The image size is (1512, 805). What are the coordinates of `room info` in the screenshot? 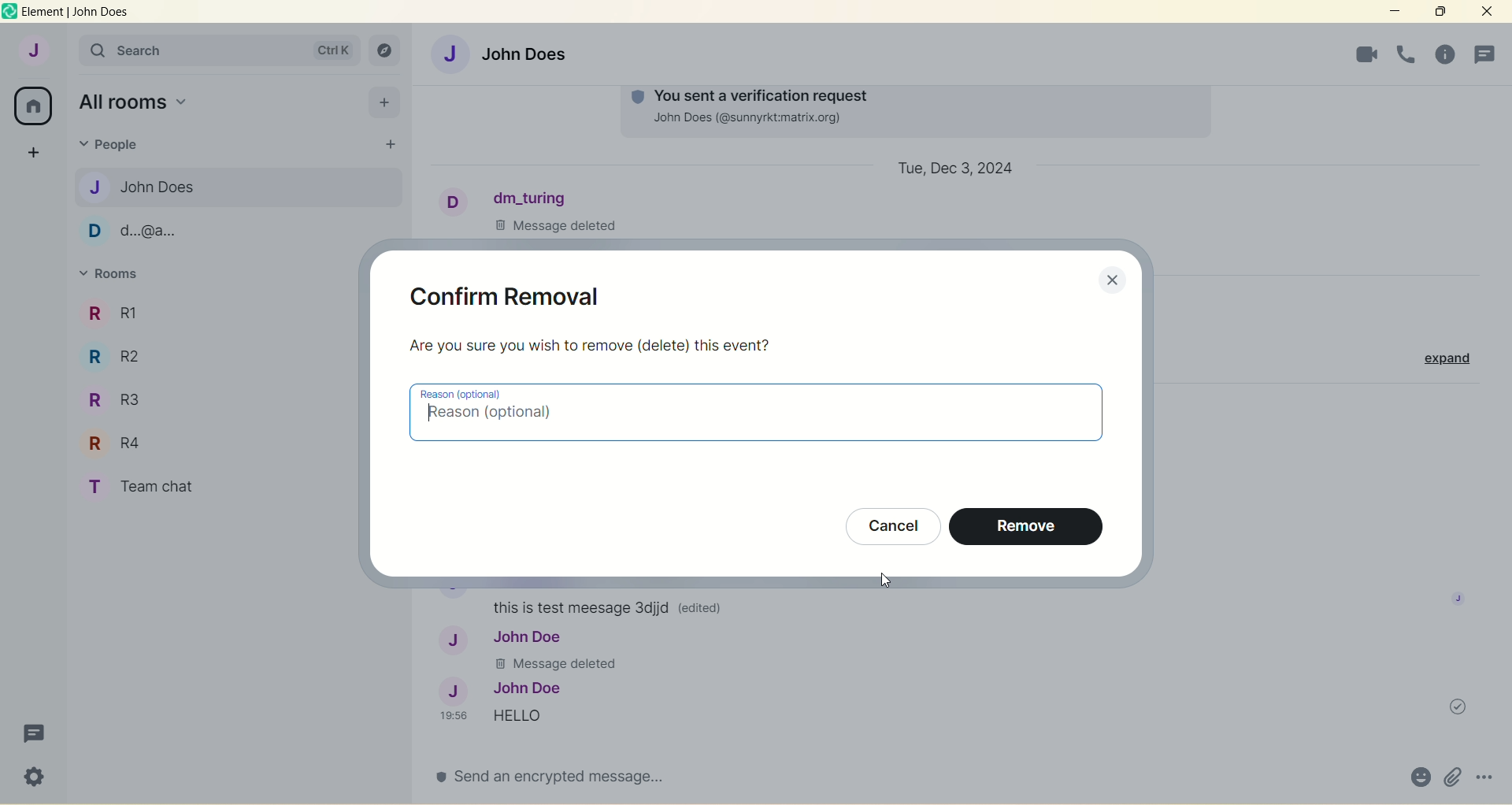 It's located at (1402, 55).